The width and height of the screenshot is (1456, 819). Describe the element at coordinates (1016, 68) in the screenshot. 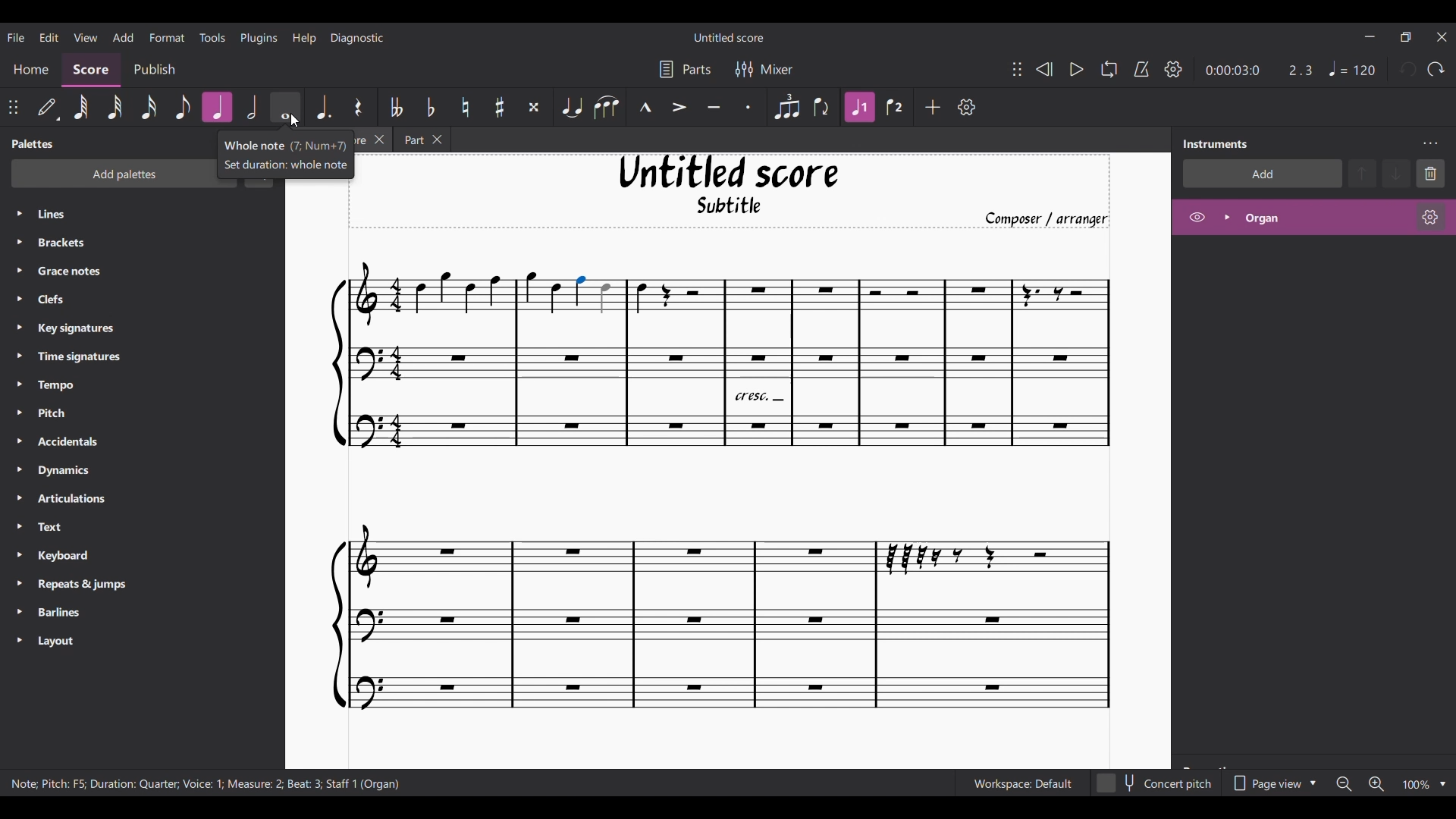

I see `Change position of toolbar` at that location.